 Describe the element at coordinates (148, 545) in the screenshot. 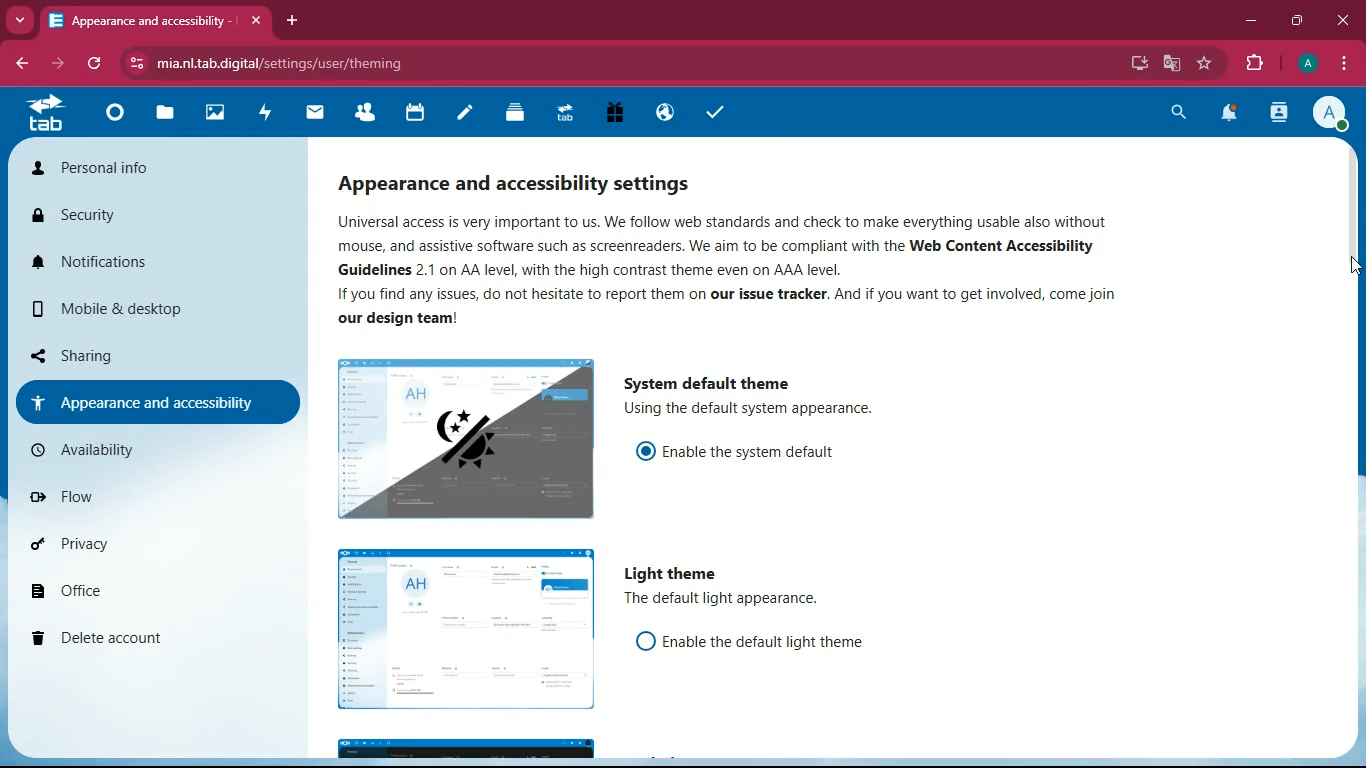

I see `privacy` at that location.